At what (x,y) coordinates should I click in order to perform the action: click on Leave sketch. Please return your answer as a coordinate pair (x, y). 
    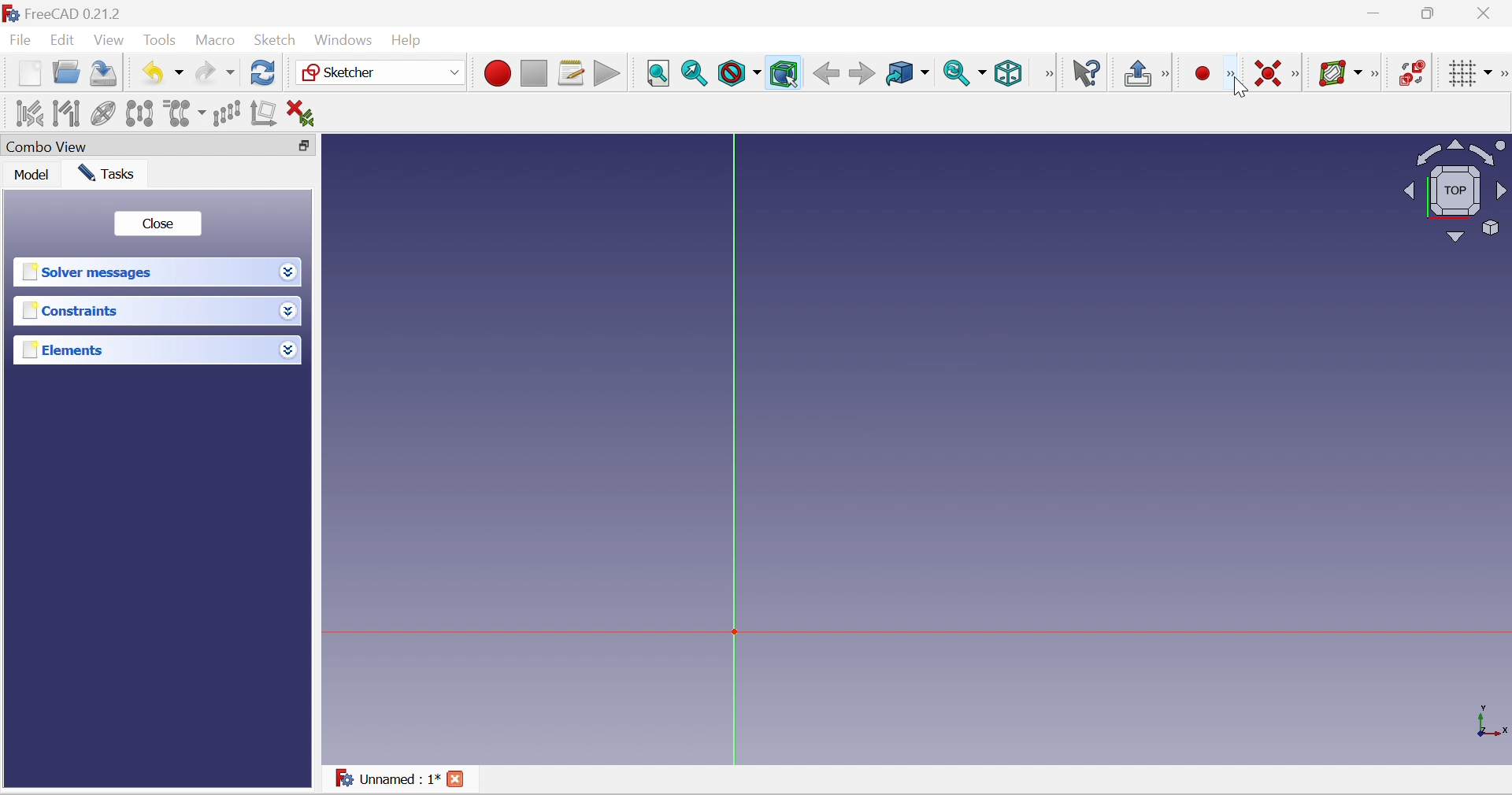
    Looking at the image, I should click on (1139, 75).